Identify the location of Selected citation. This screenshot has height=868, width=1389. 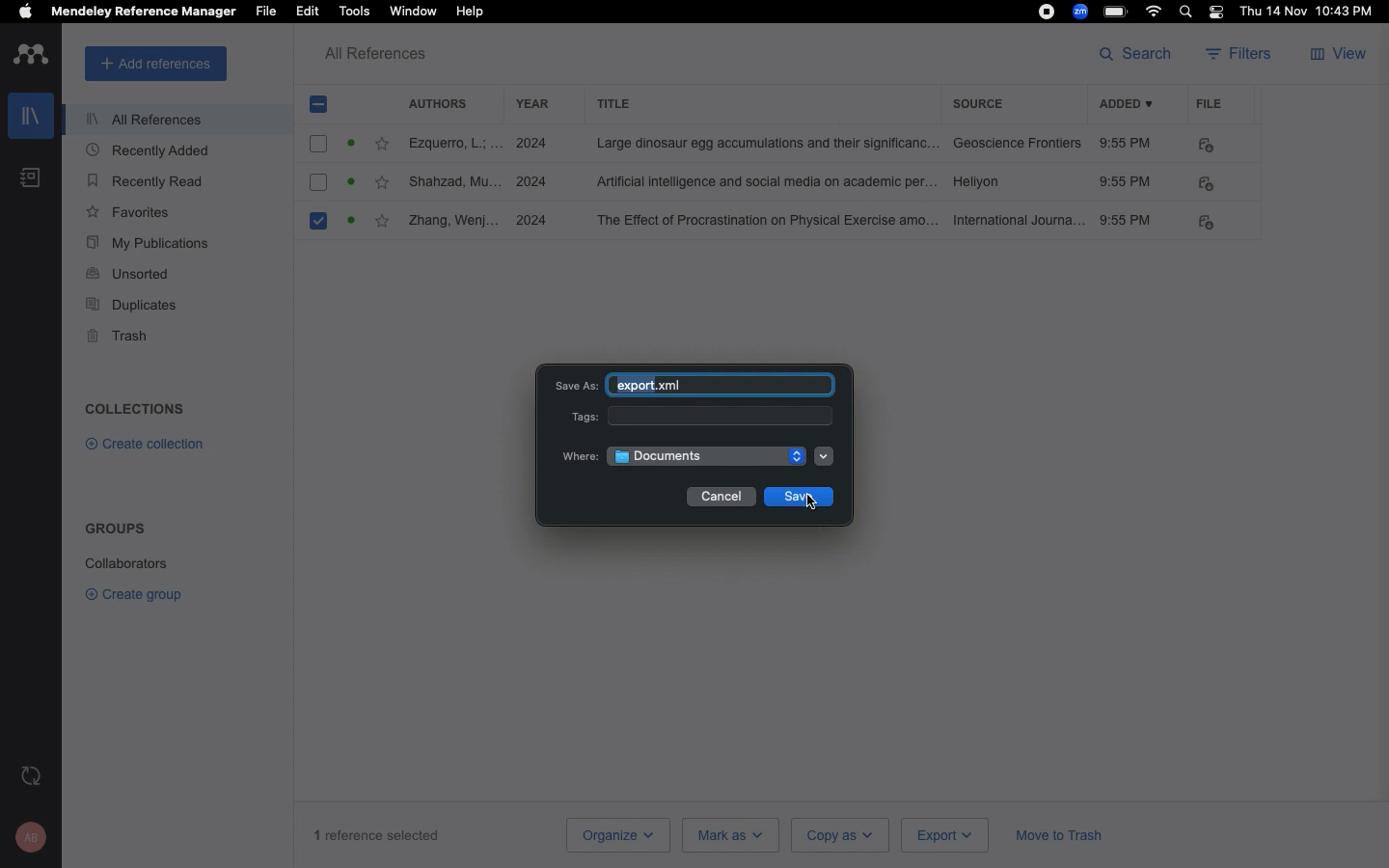
(322, 227).